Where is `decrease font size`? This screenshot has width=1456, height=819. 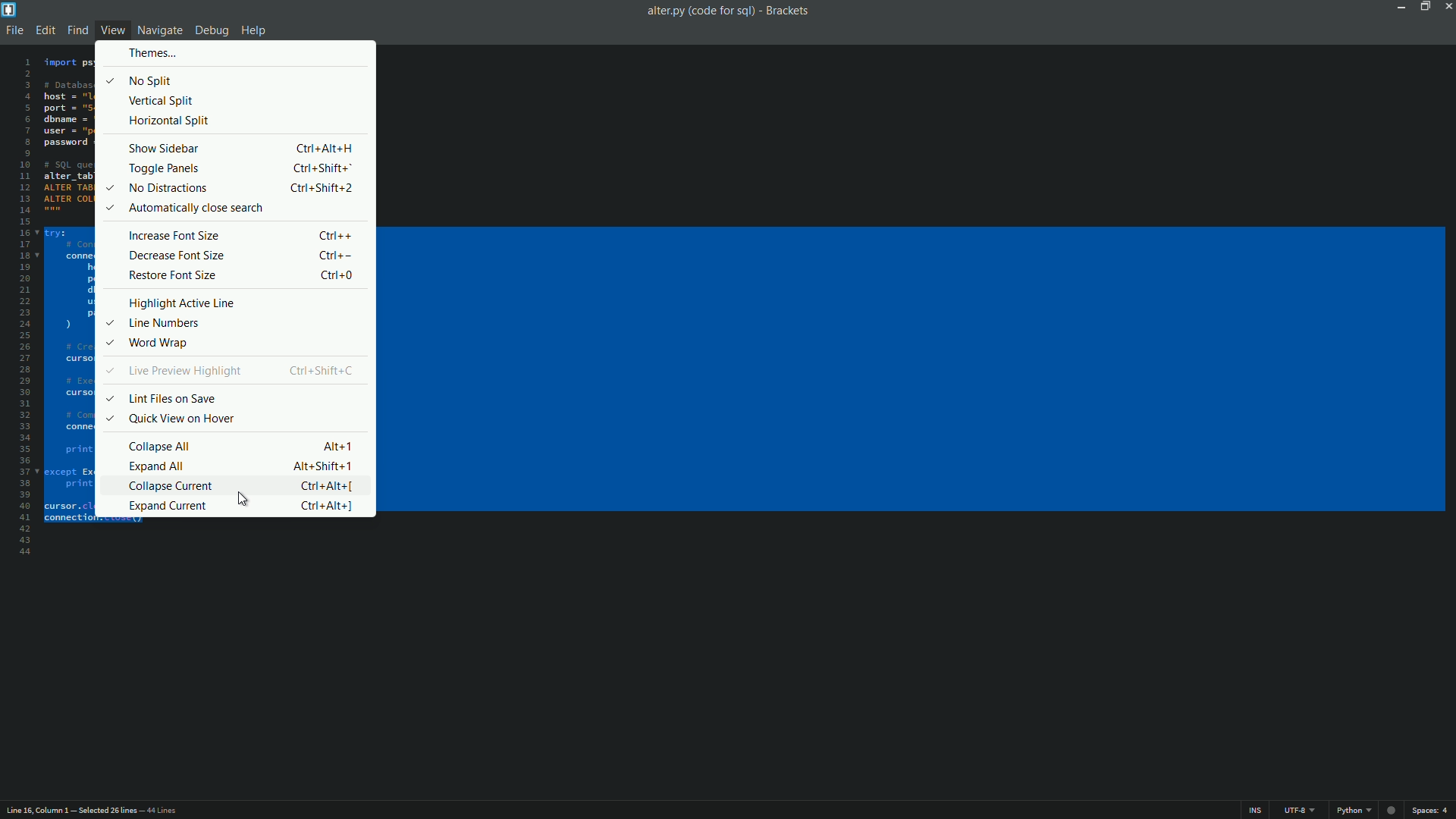
decrease font size is located at coordinates (175, 256).